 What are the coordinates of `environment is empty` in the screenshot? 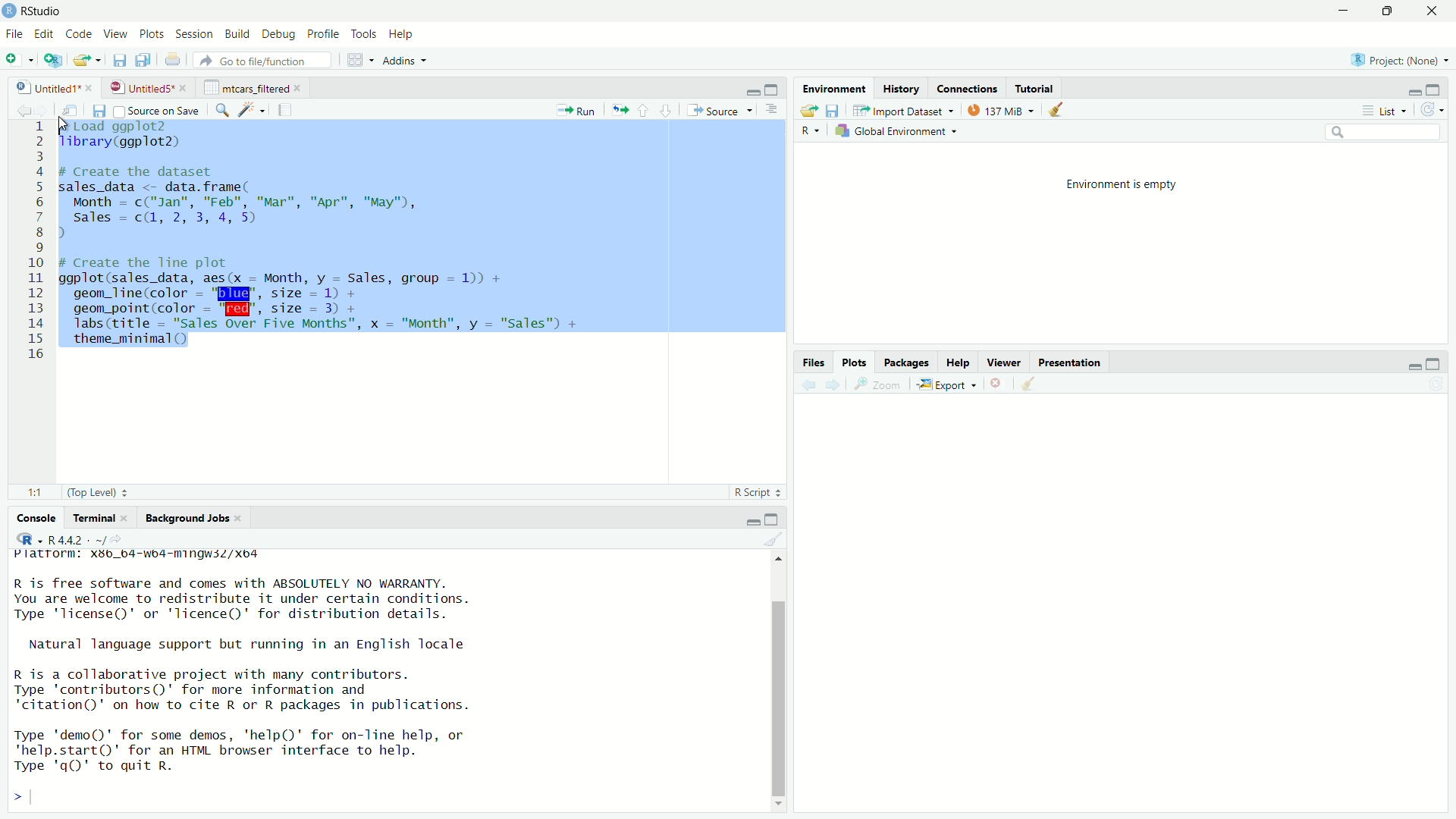 It's located at (1122, 185).